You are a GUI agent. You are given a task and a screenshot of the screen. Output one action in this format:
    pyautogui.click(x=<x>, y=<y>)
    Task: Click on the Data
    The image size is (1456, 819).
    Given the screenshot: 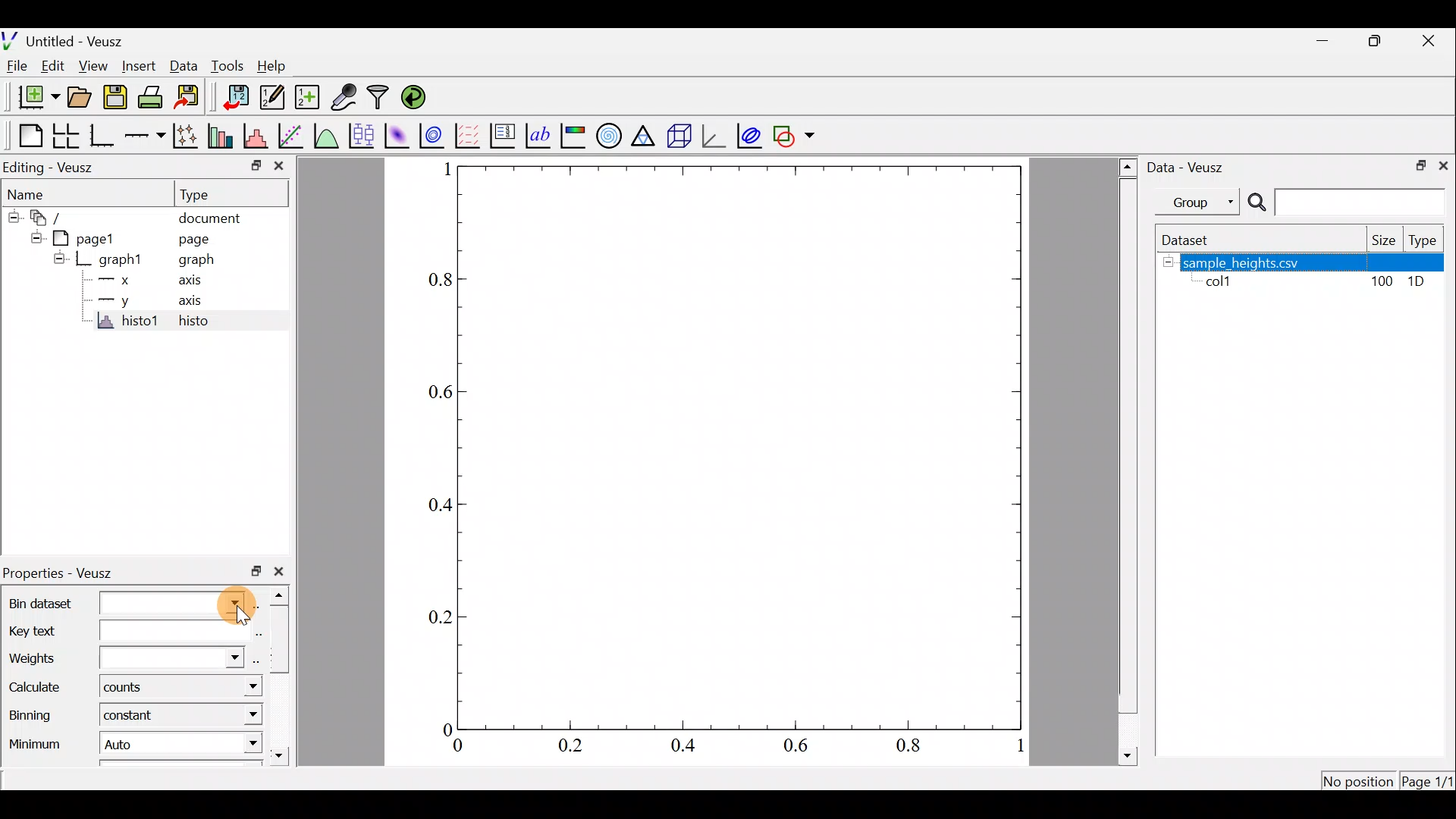 What is the action you would take?
    pyautogui.click(x=184, y=68)
    